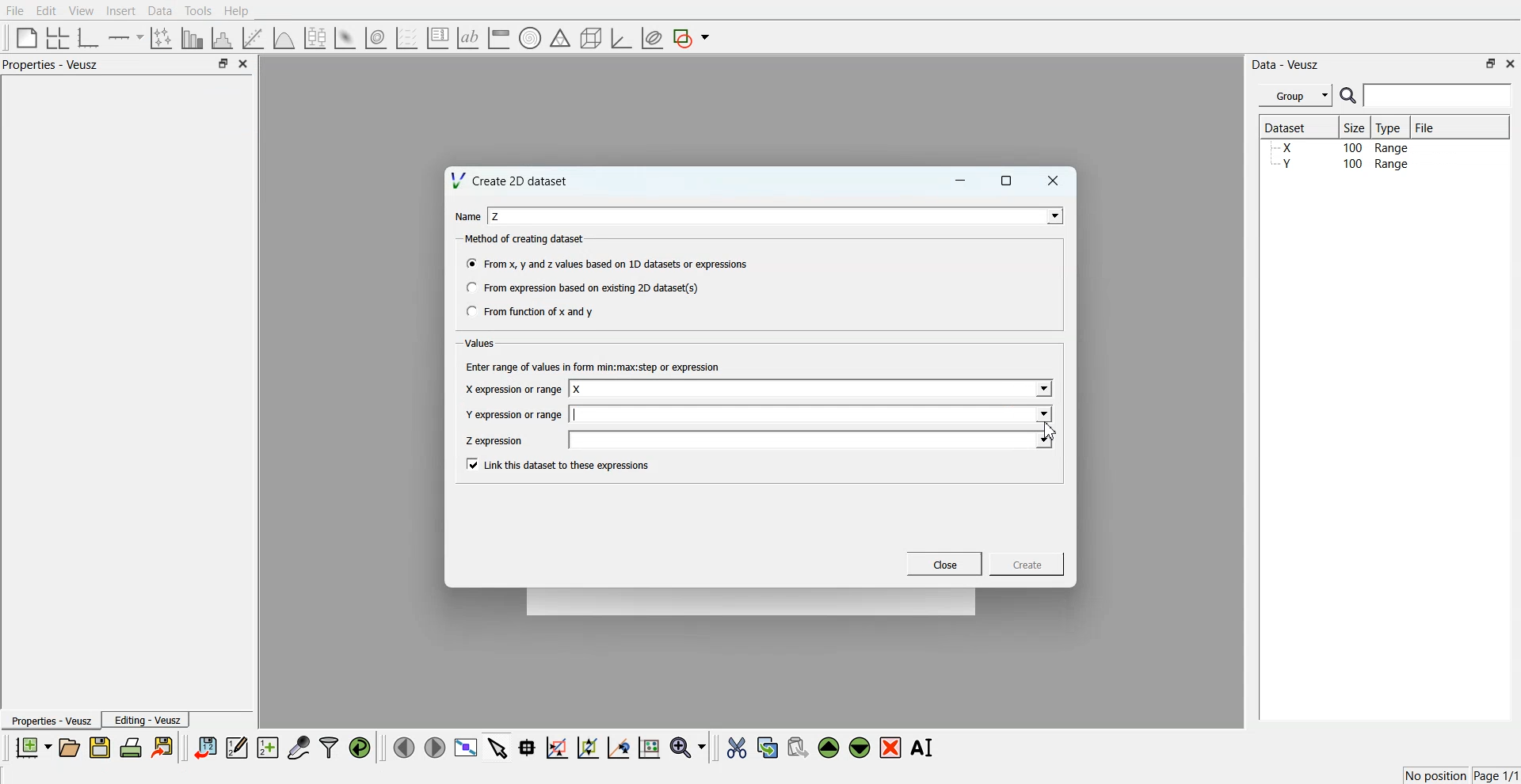  I want to click on Drop down, so click(1051, 215).